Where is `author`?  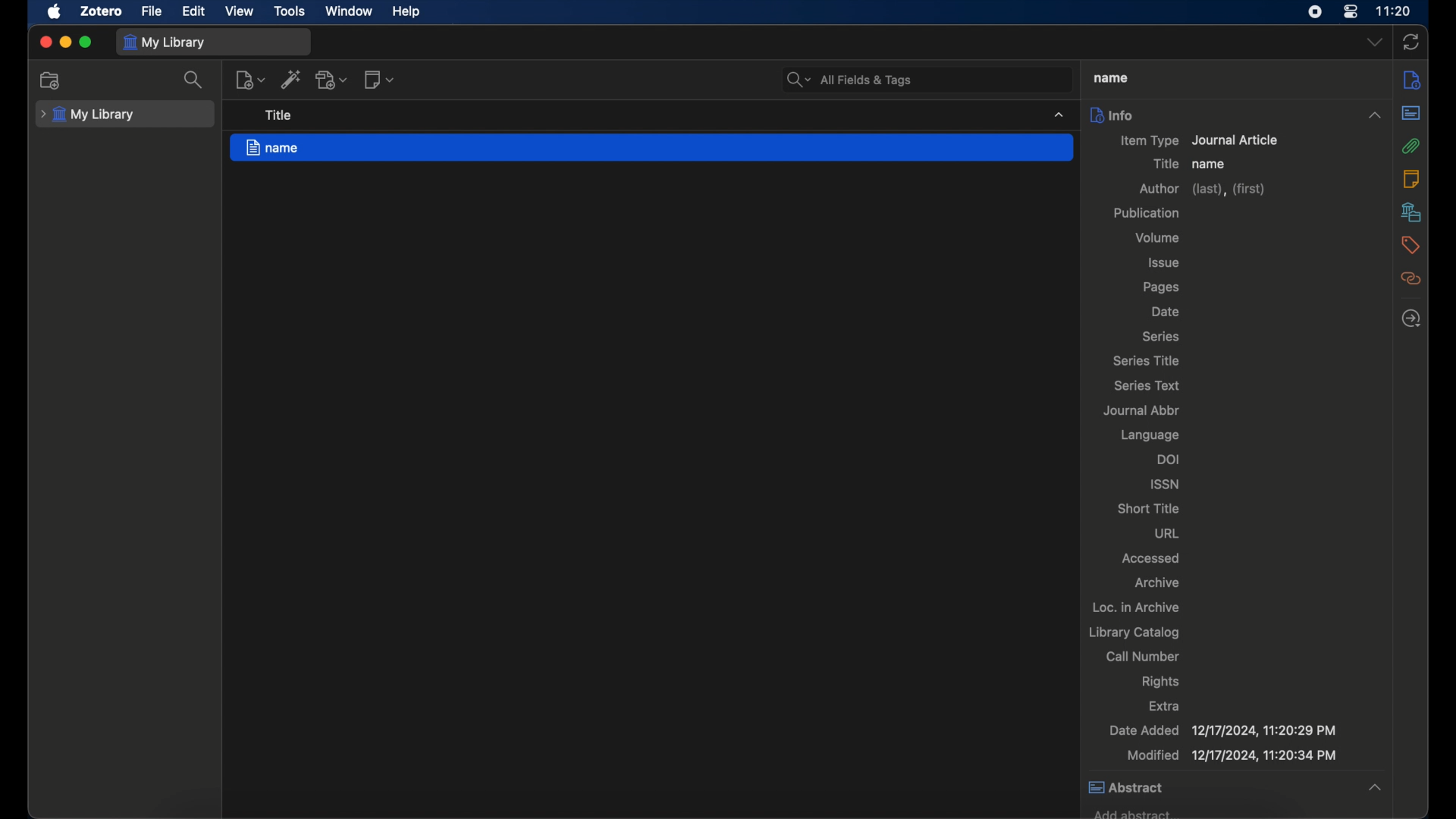 author is located at coordinates (1204, 191).